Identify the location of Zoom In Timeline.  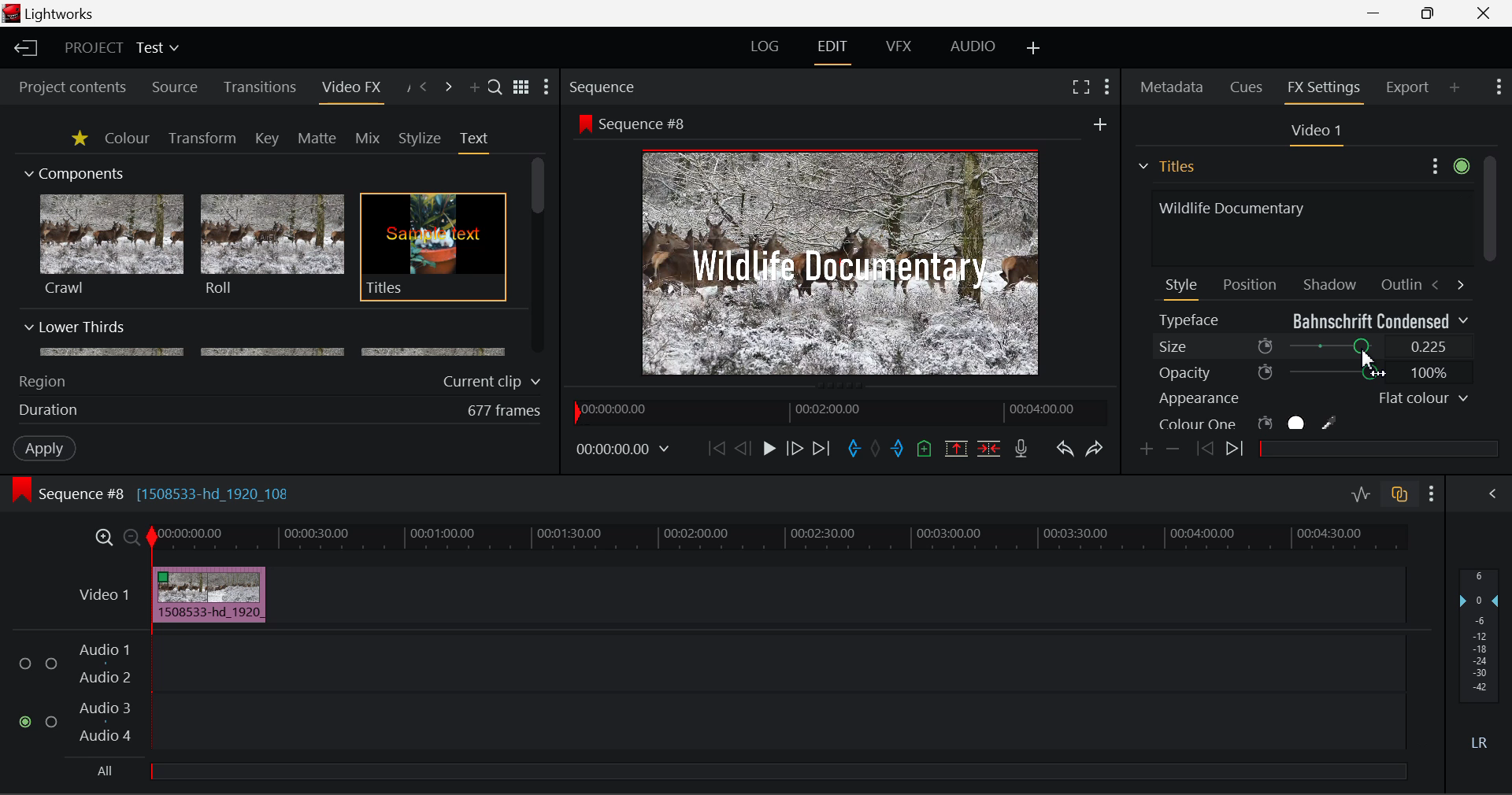
(104, 542).